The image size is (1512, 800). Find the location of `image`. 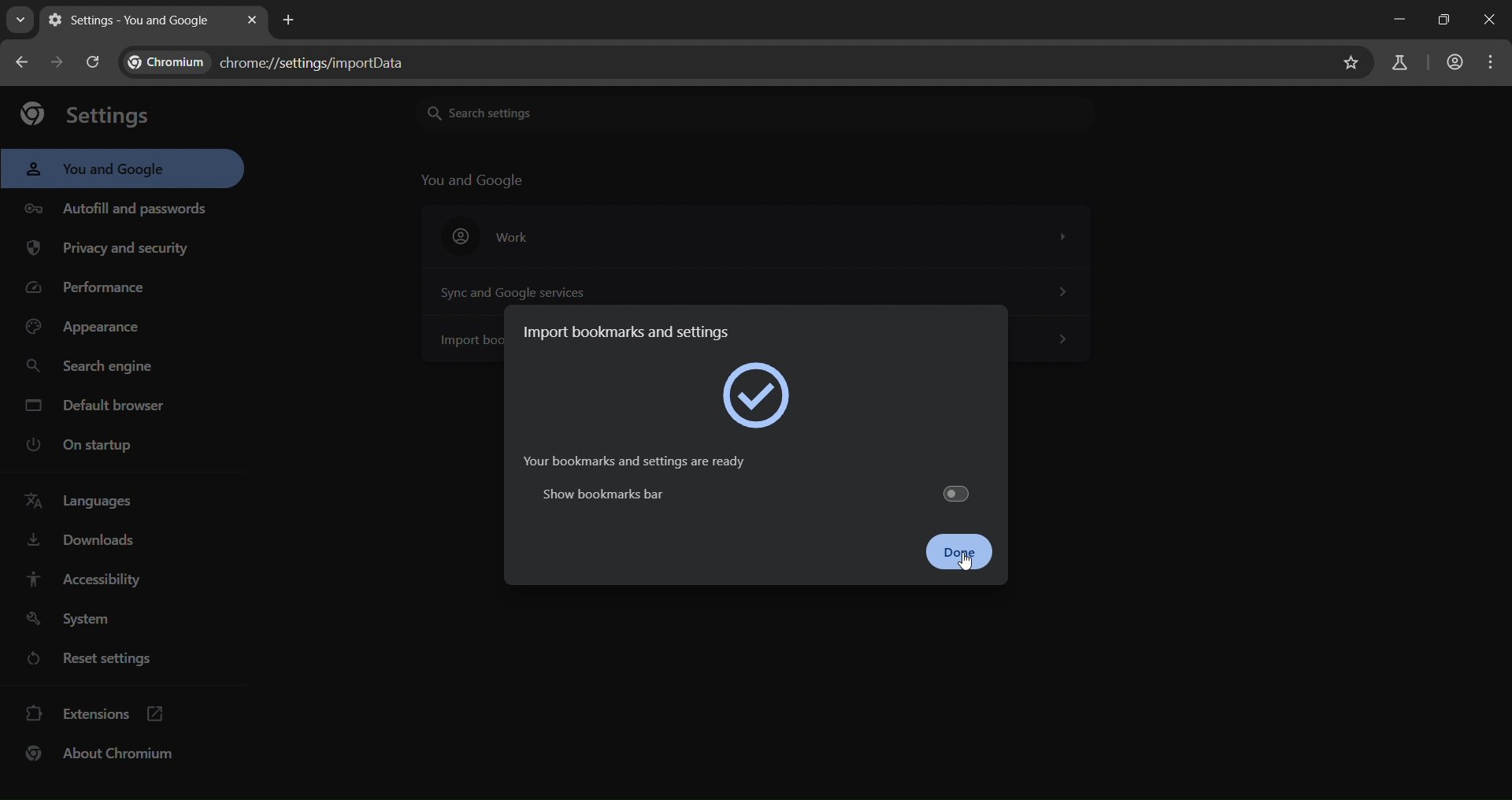

image is located at coordinates (759, 394).